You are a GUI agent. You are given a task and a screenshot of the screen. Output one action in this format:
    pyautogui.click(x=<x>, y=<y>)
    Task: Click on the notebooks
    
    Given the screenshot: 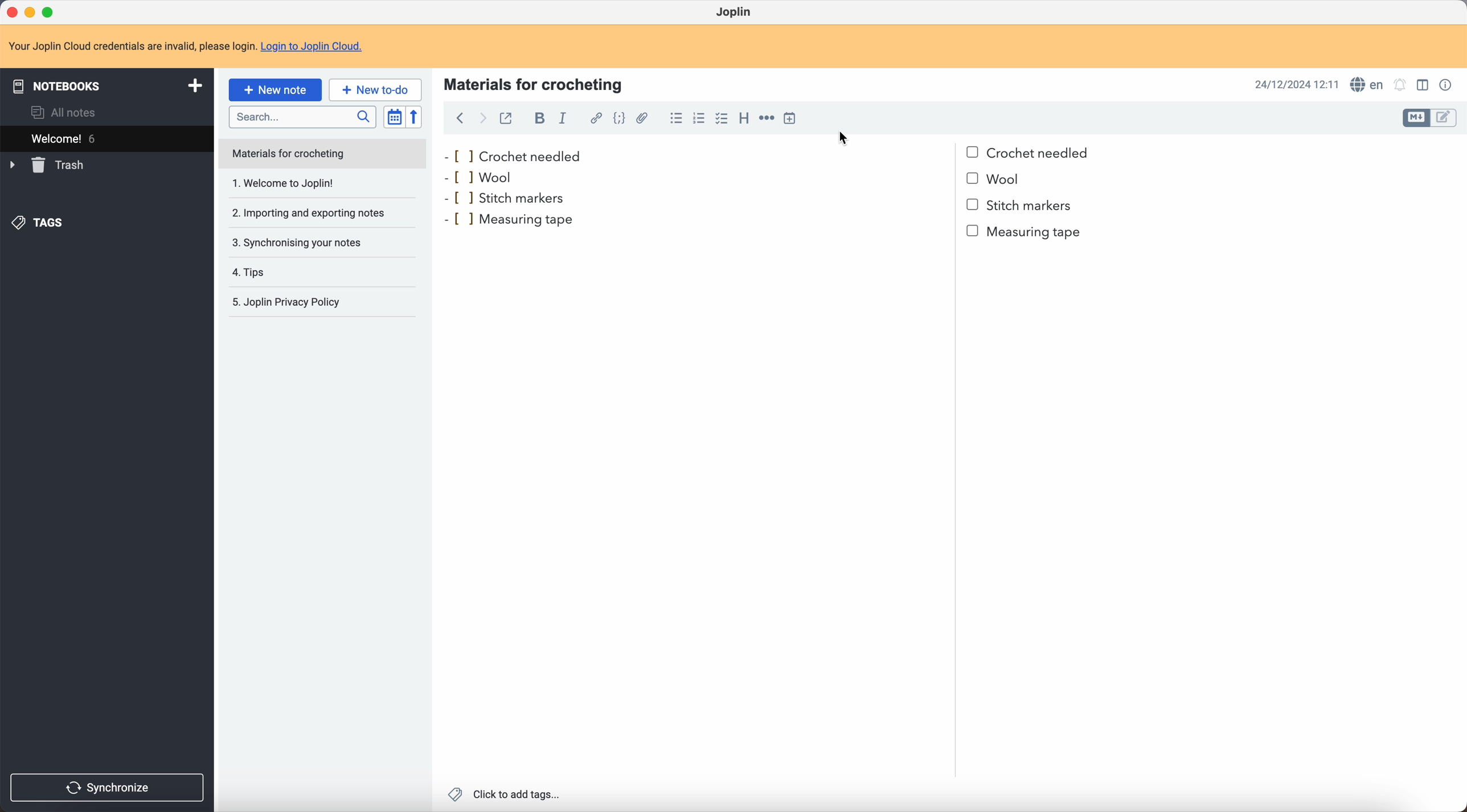 What is the action you would take?
    pyautogui.click(x=105, y=84)
    